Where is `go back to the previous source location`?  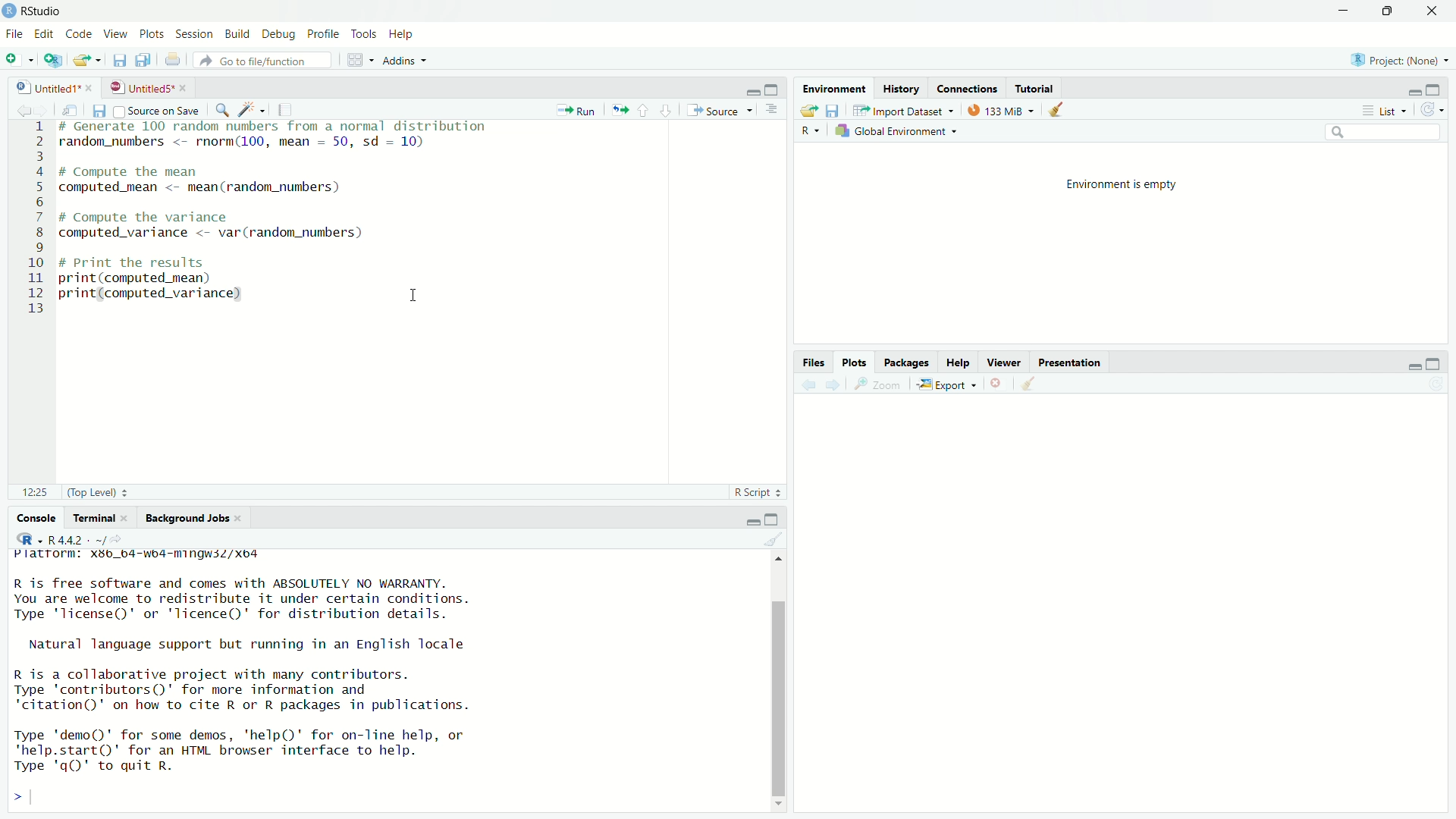
go back to the previous source location is located at coordinates (14, 108).